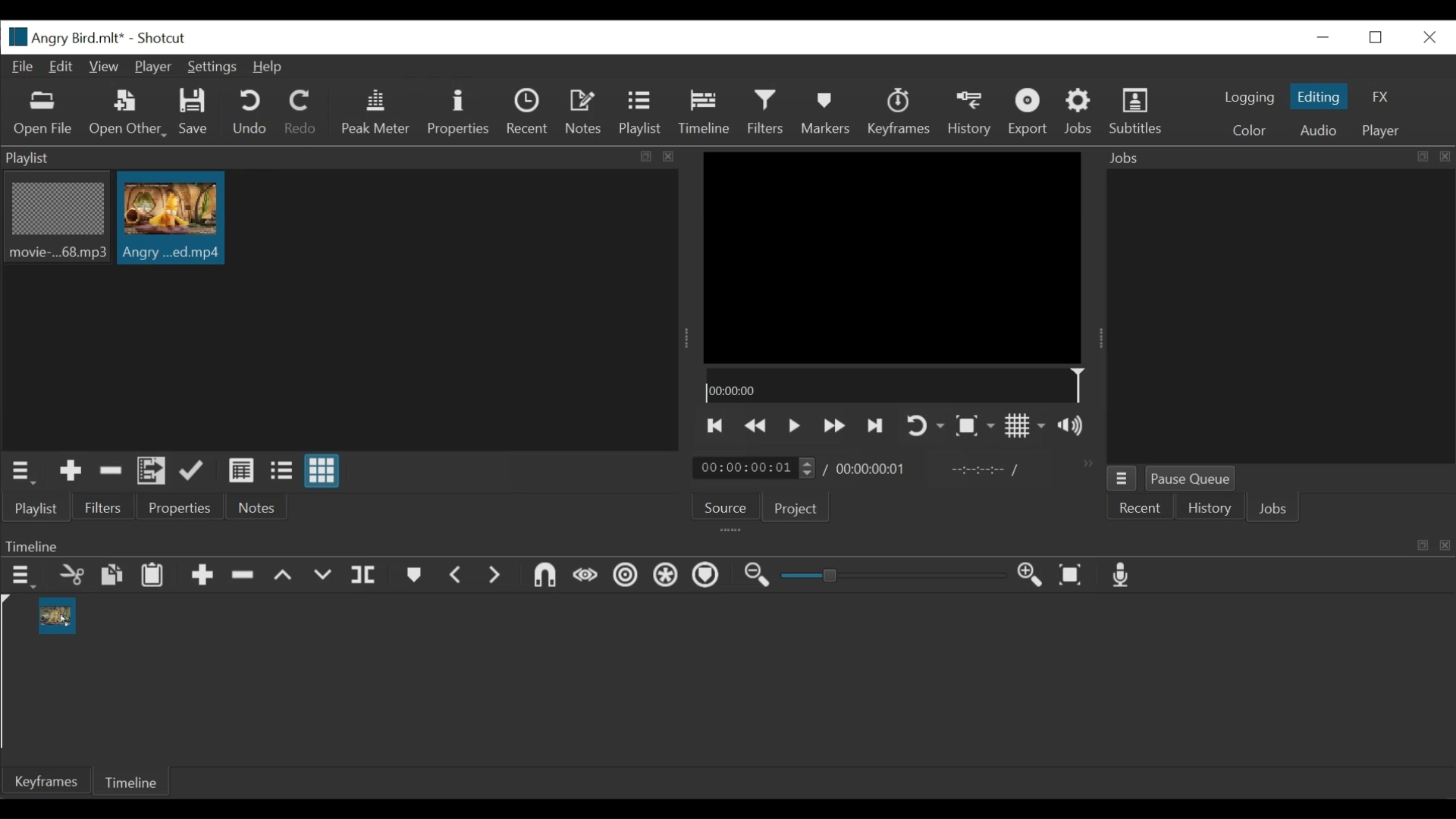 Image resolution: width=1456 pixels, height=819 pixels. Describe the element at coordinates (1375, 37) in the screenshot. I see `Restore` at that location.